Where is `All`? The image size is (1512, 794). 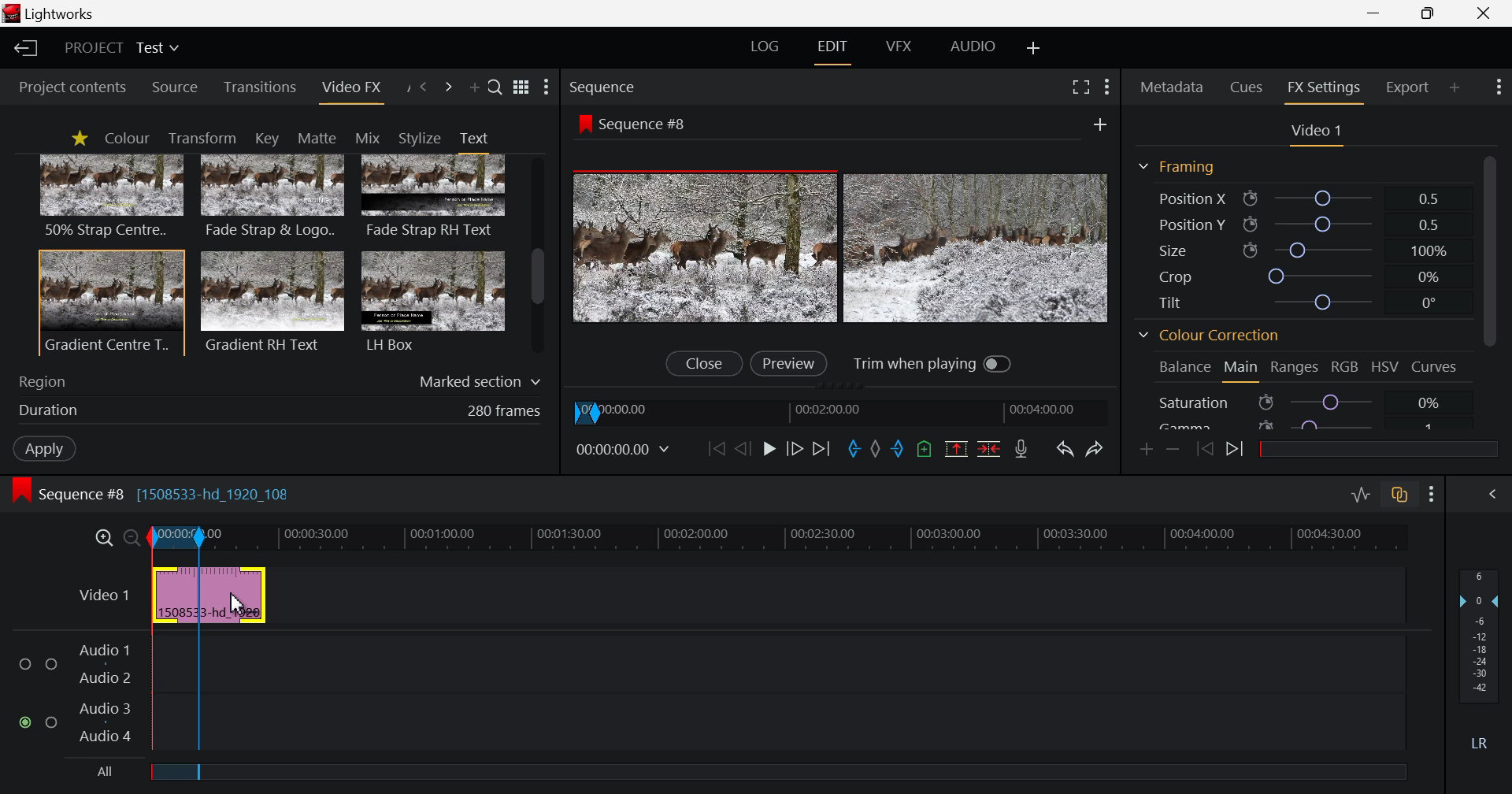
All is located at coordinates (94, 774).